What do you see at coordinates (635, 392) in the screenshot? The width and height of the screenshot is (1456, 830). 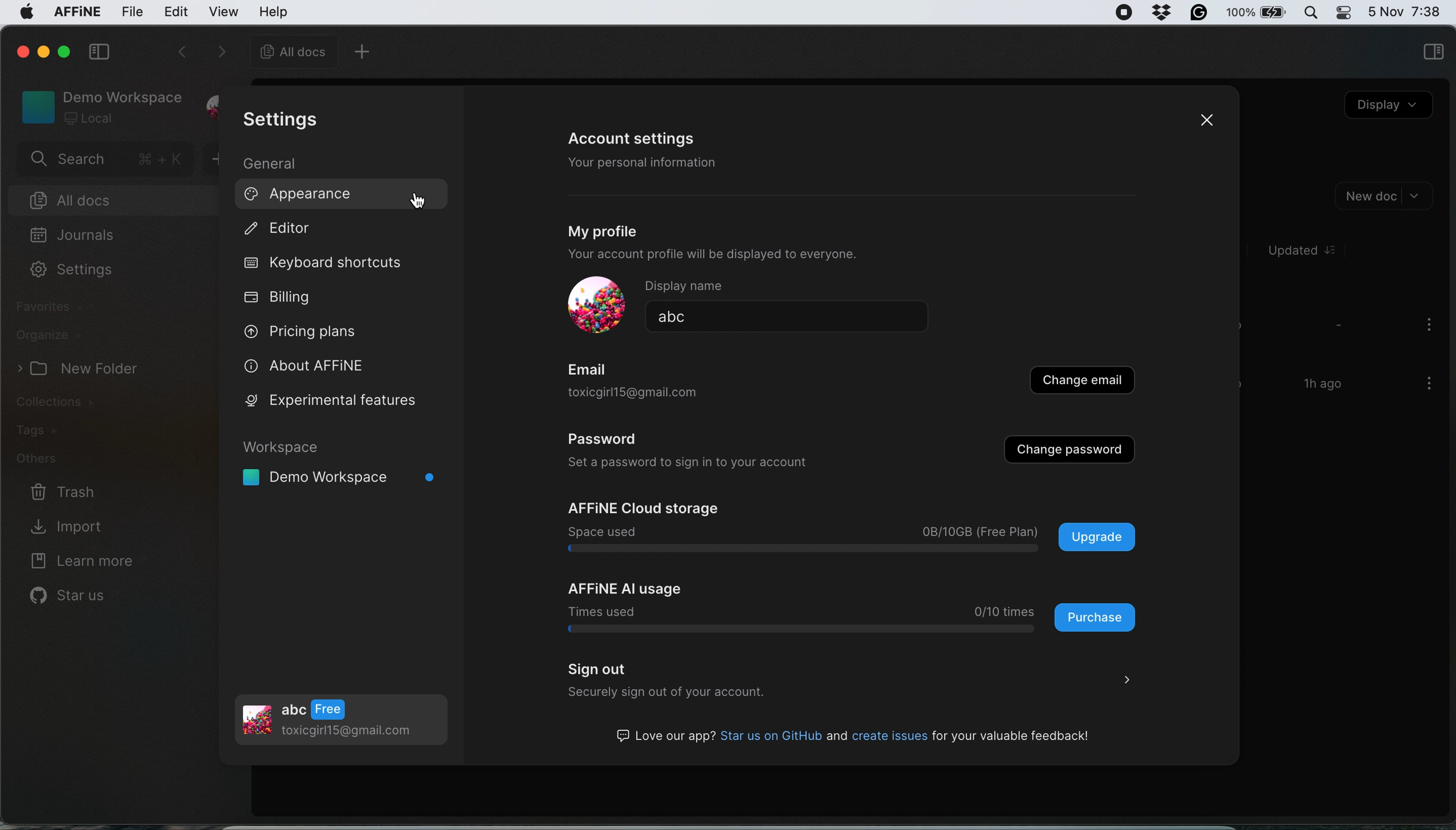 I see `OXICOITTHTOWLUITIall. COI` at bounding box center [635, 392].